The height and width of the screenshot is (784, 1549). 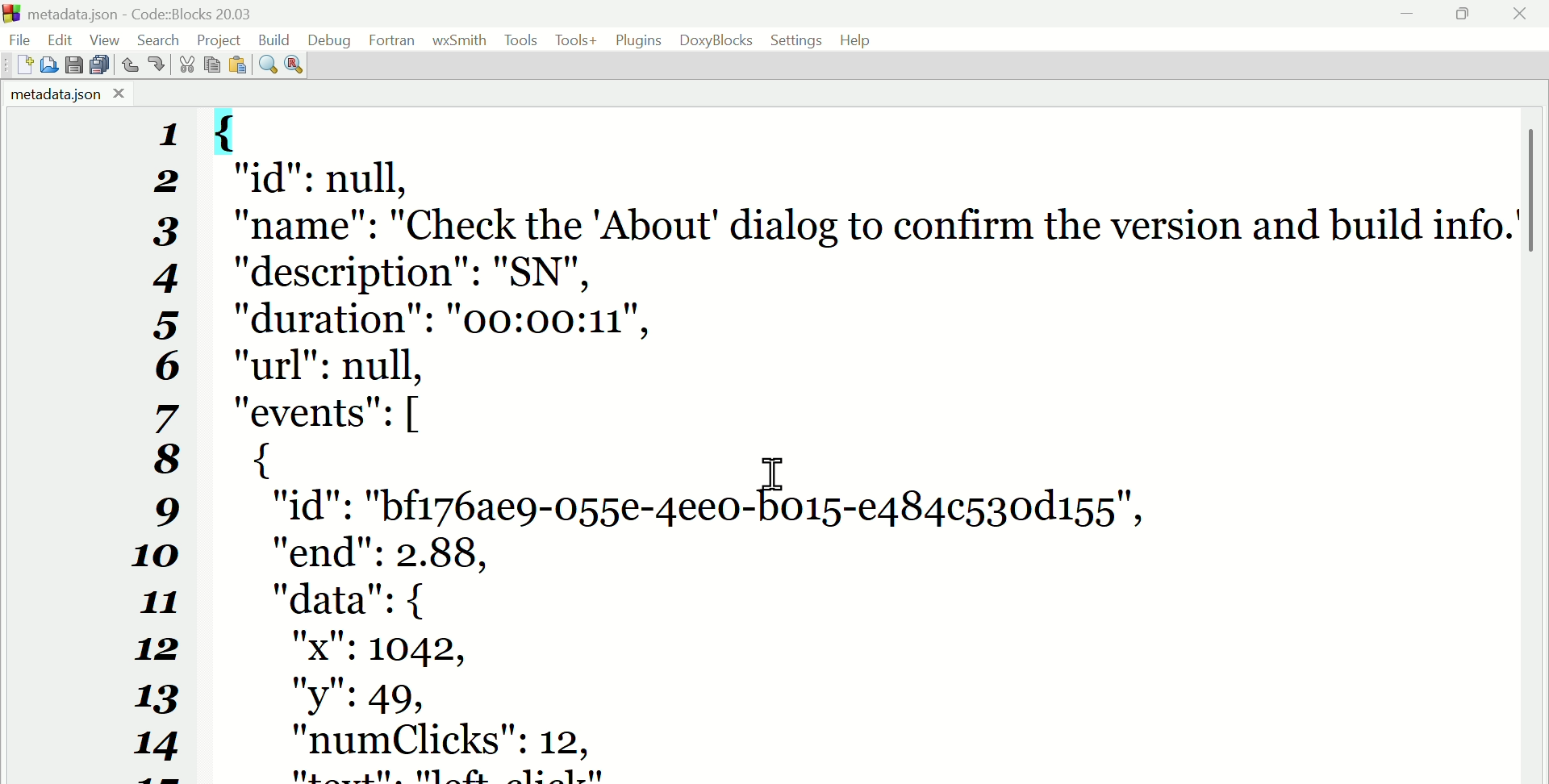 I want to click on Project, so click(x=221, y=38).